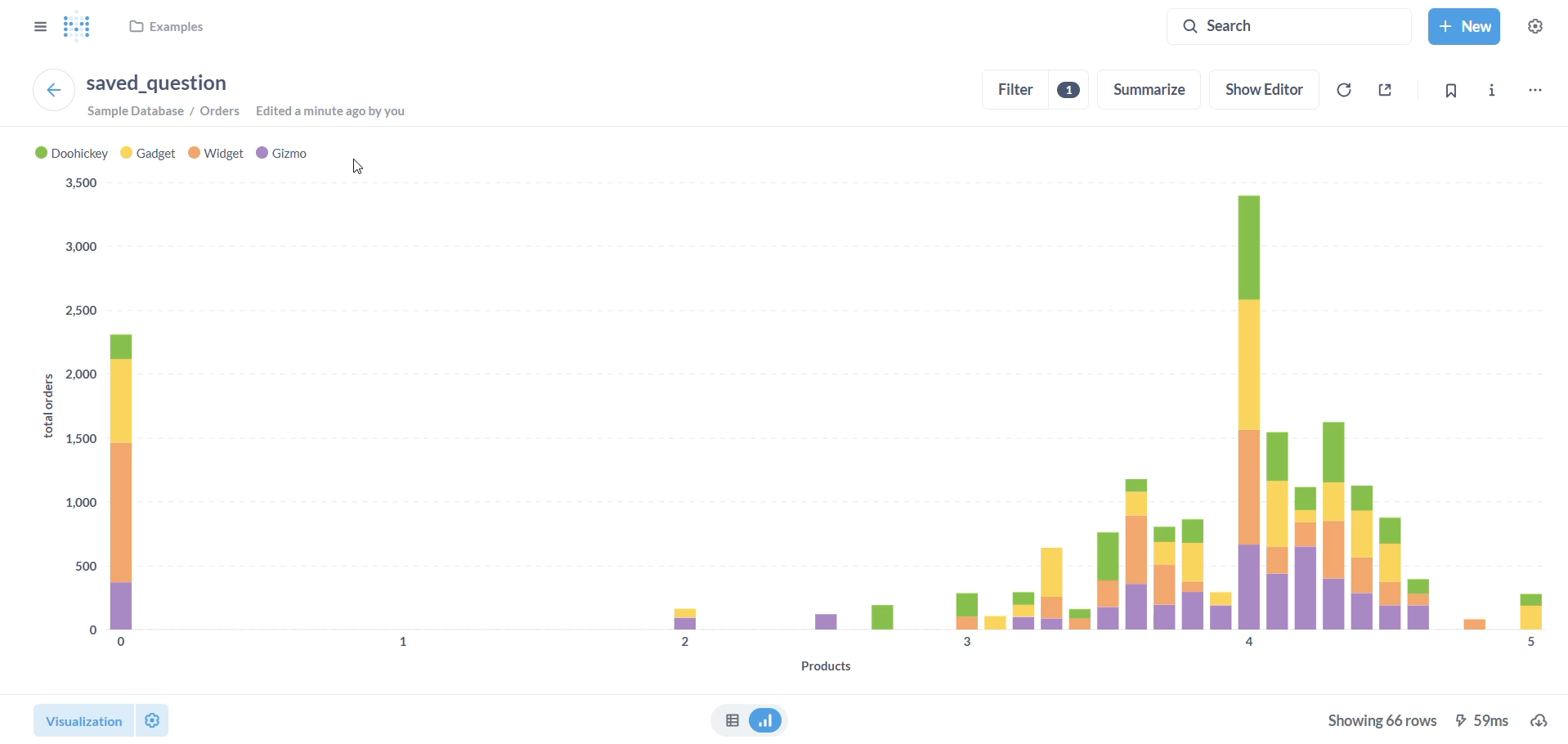 This screenshot has width=1568, height=744. Describe the element at coordinates (1247, 26) in the screenshot. I see `search` at that location.